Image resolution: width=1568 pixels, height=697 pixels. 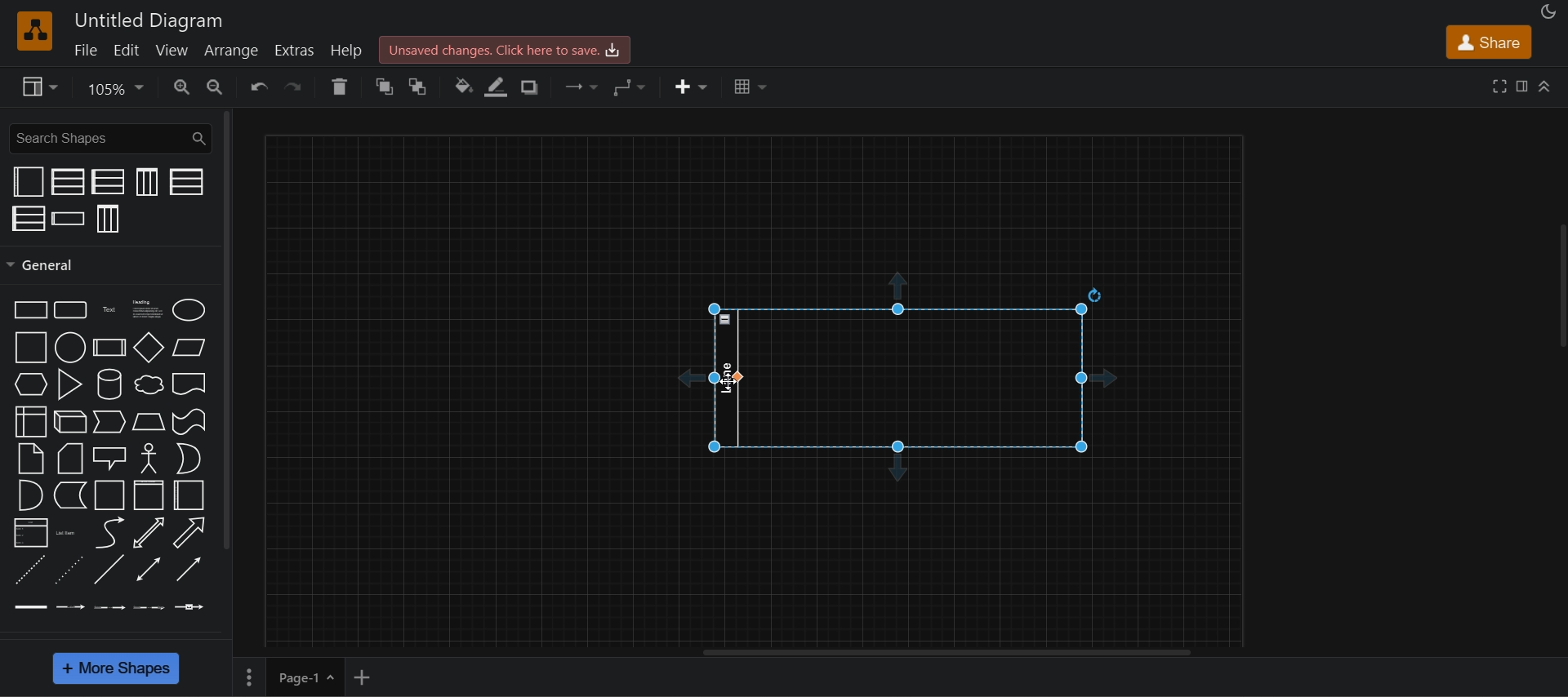 What do you see at coordinates (30, 607) in the screenshot?
I see `link` at bounding box center [30, 607].